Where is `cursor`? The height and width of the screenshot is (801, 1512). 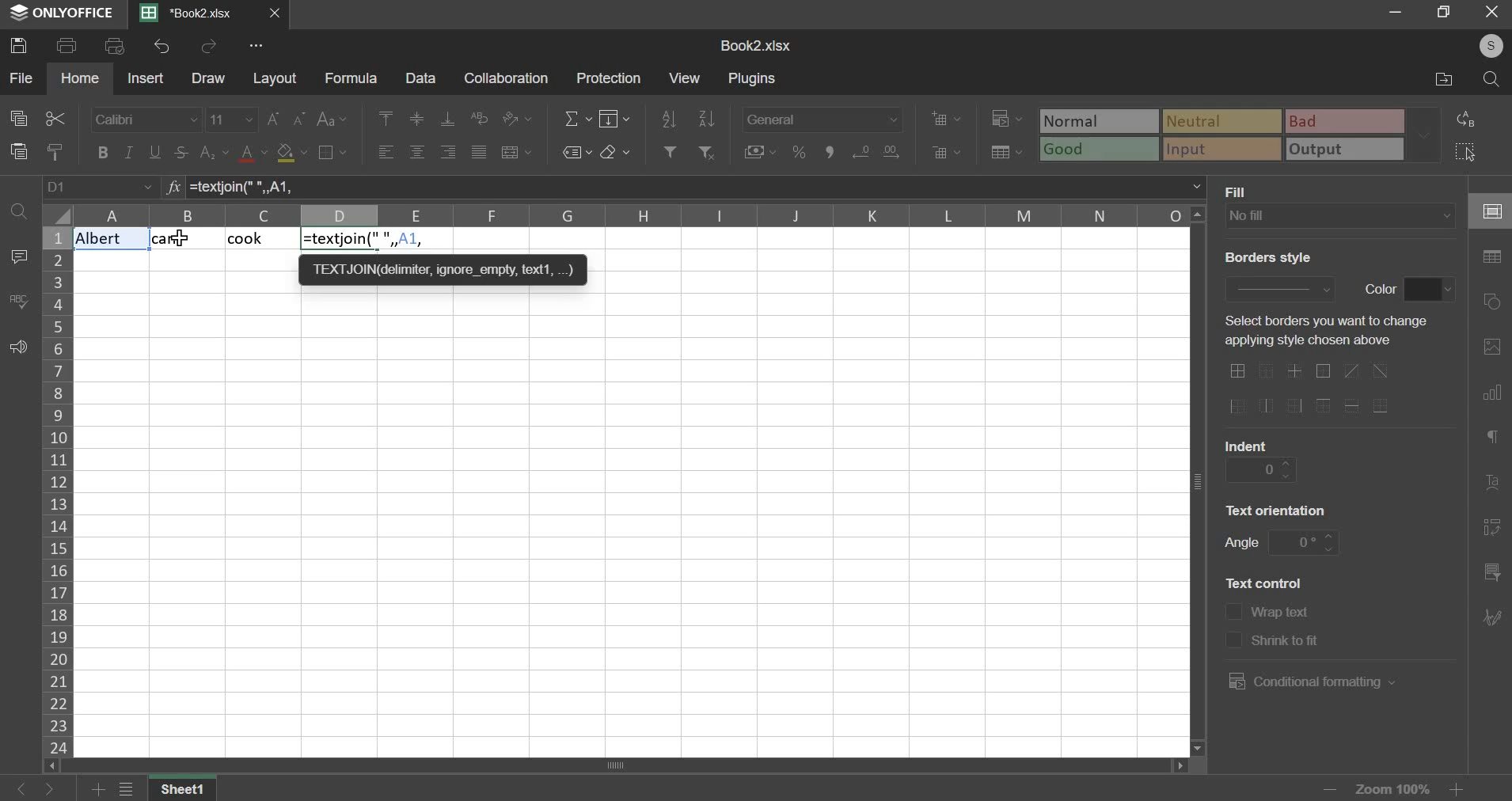 cursor is located at coordinates (185, 243).